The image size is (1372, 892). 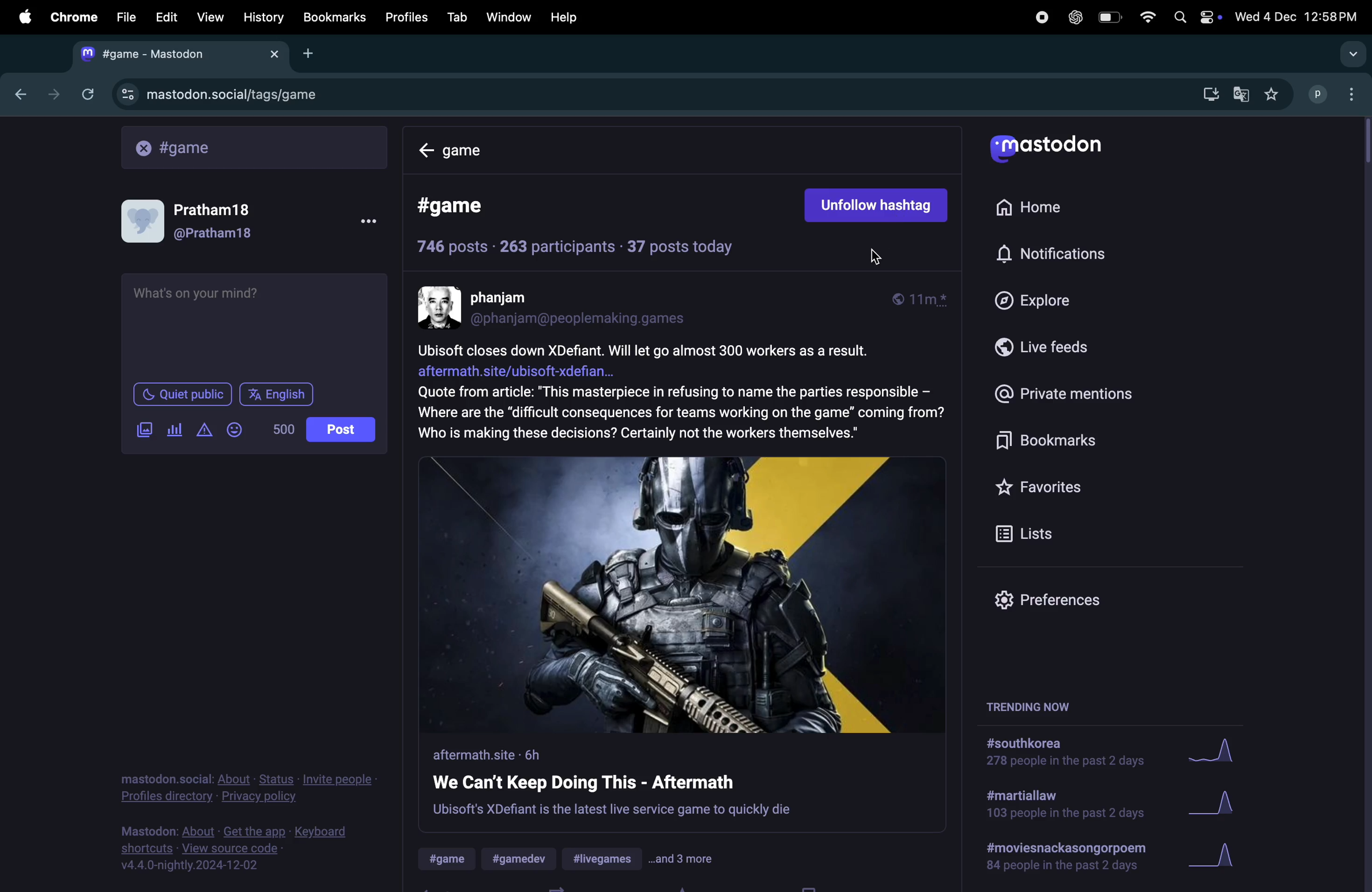 What do you see at coordinates (1026, 531) in the screenshot?
I see `list` at bounding box center [1026, 531].